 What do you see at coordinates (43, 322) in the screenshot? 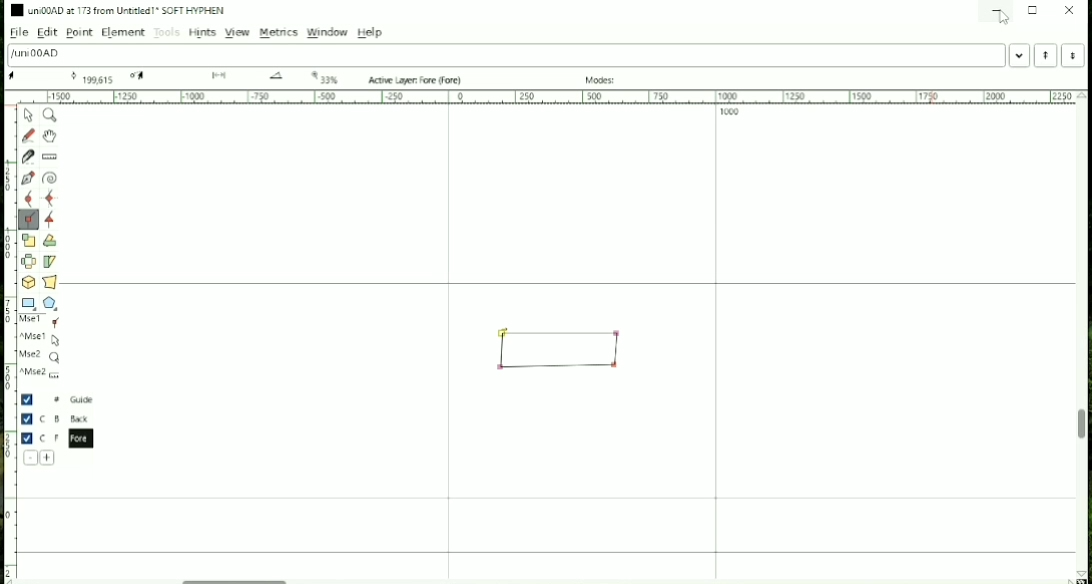
I see `Mse1` at bounding box center [43, 322].